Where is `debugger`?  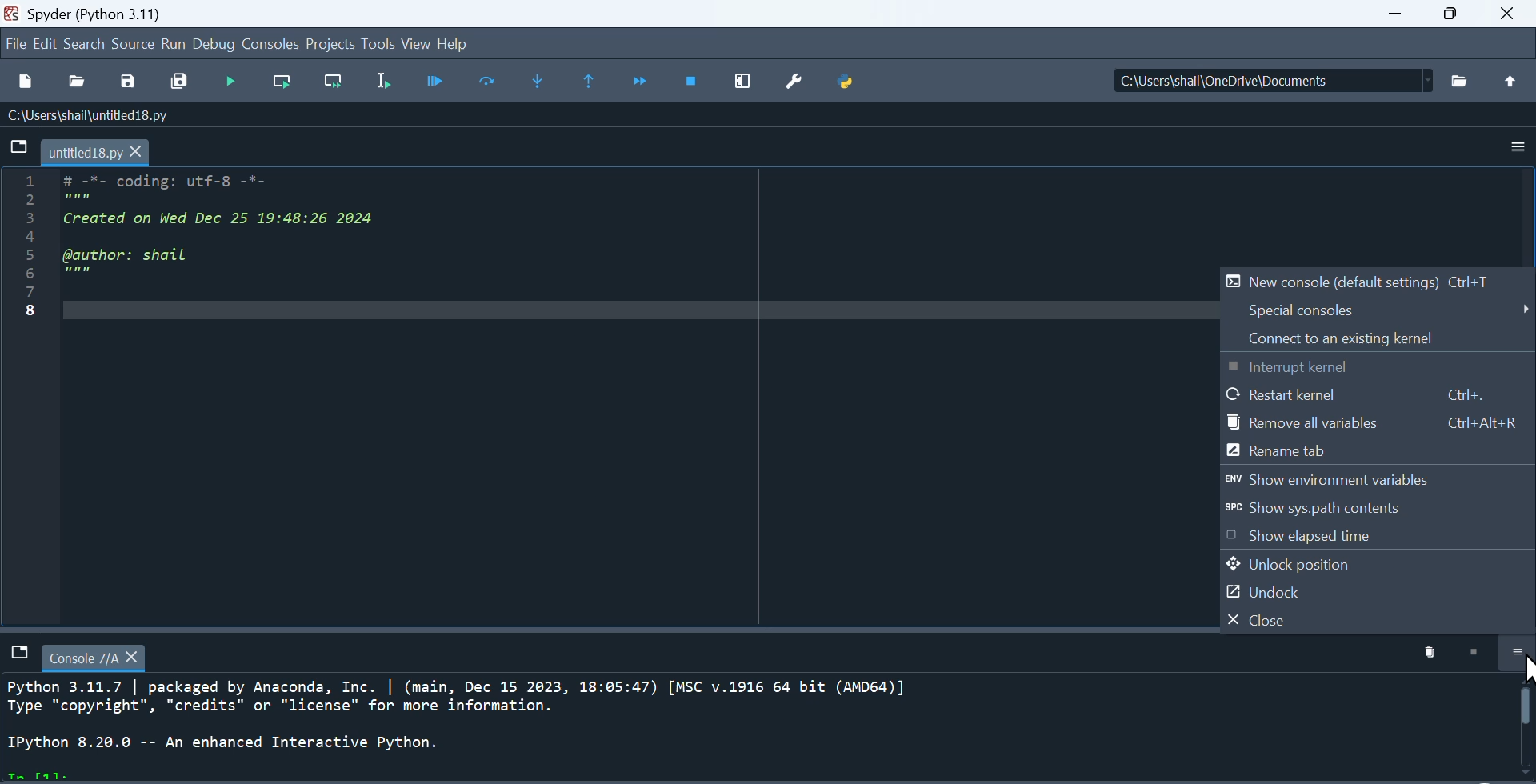
debugger is located at coordinates (434, 82).